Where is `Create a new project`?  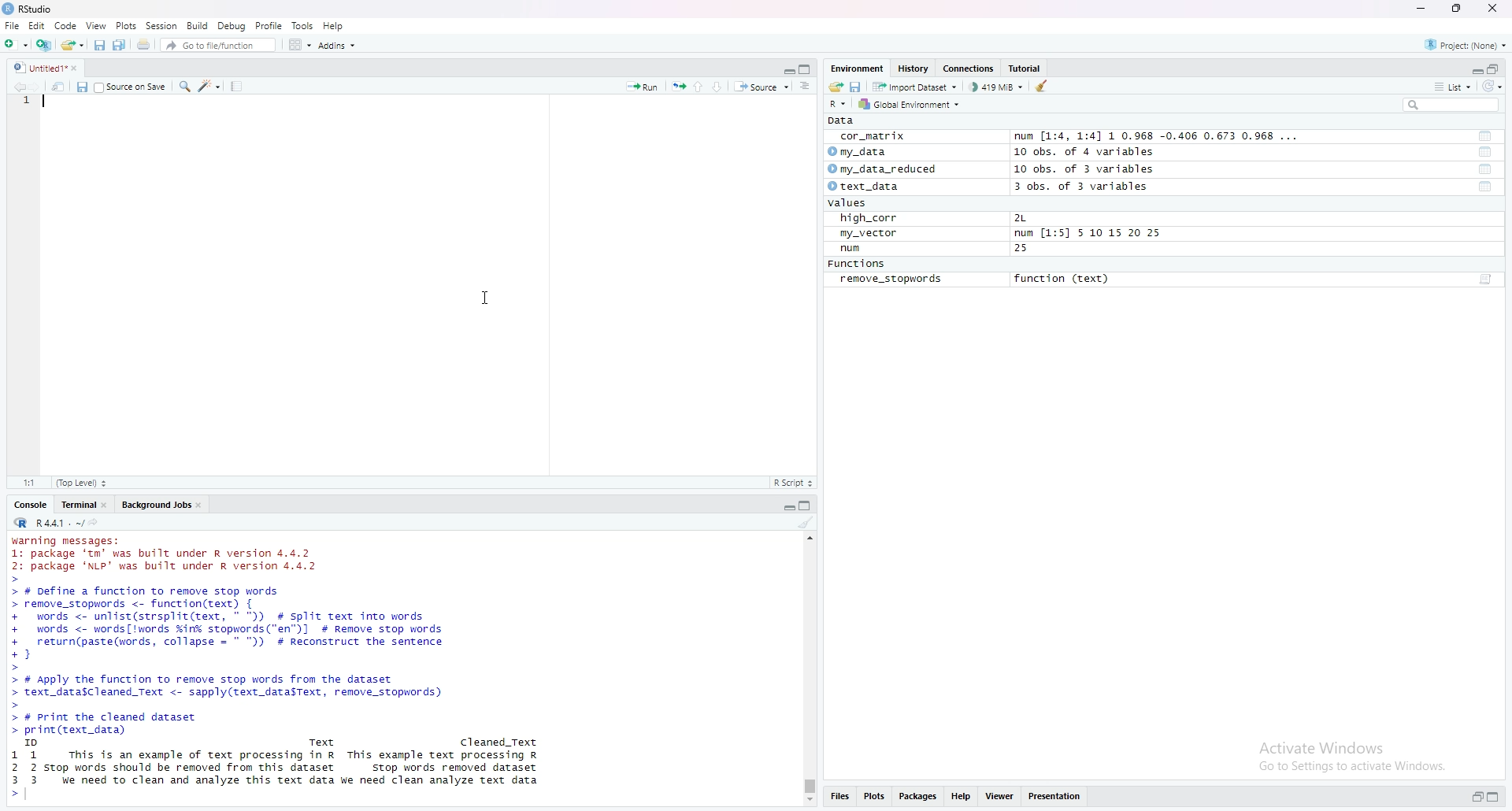 Create a new project is located at coordinates (43, 45).